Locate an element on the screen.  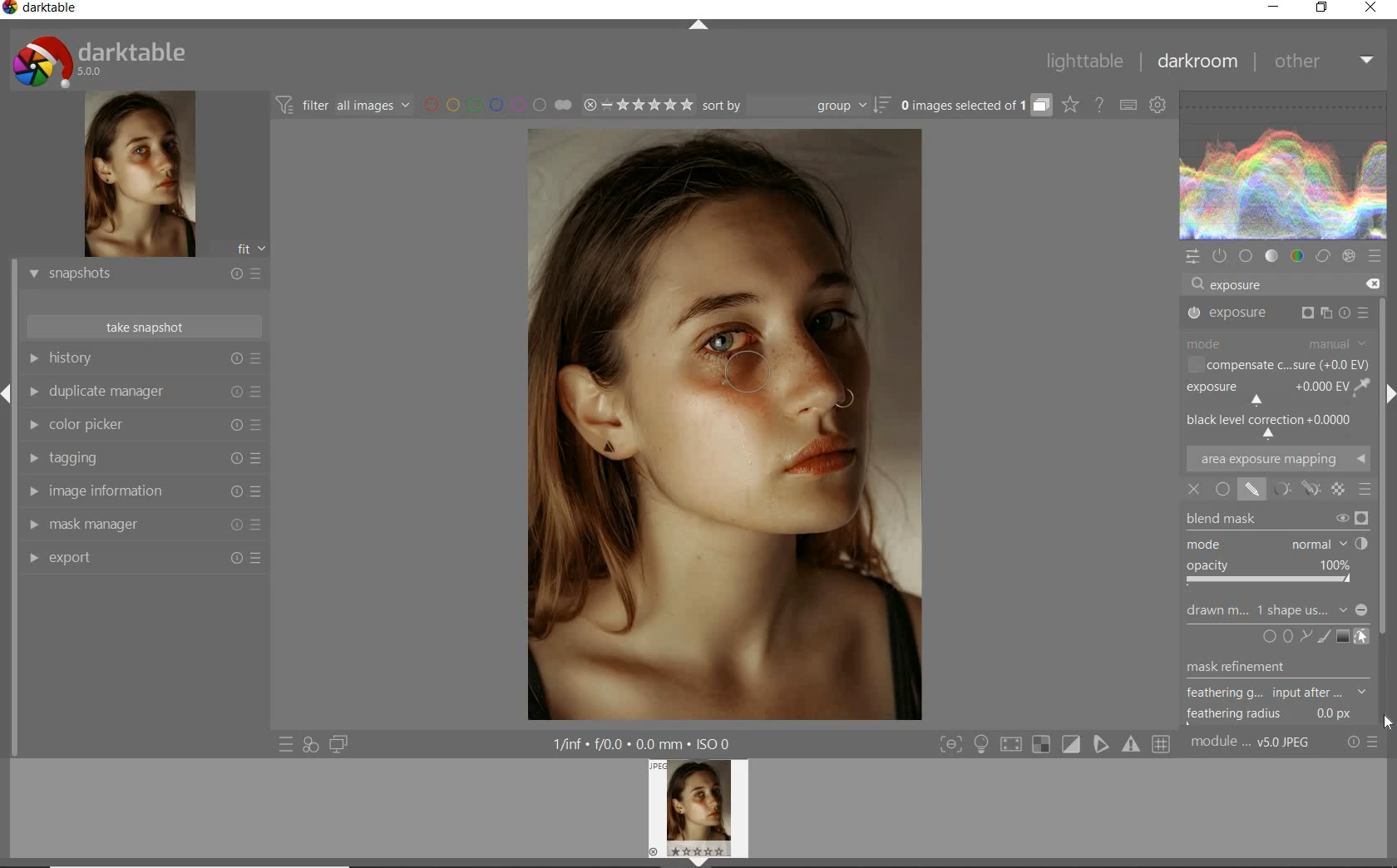
MASK OPTIONS is located at coordinates (1310, 490).